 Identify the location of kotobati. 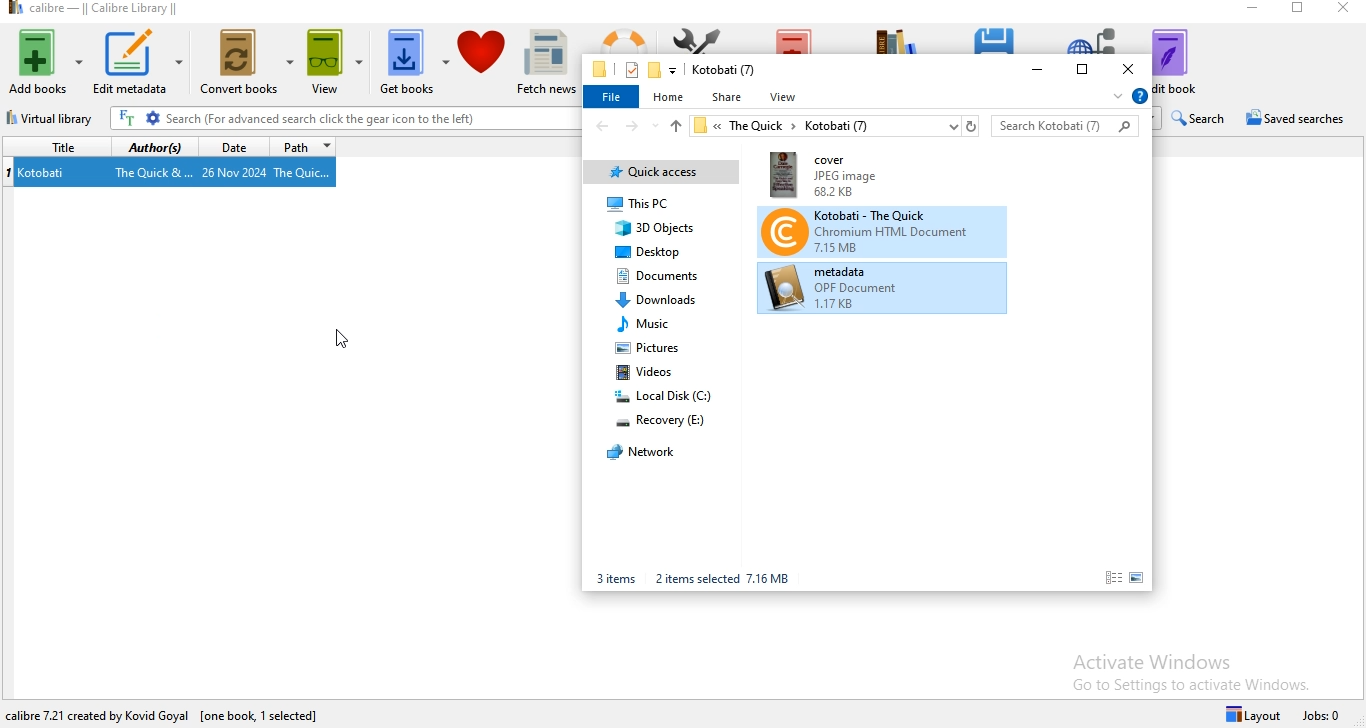
(47, 174).